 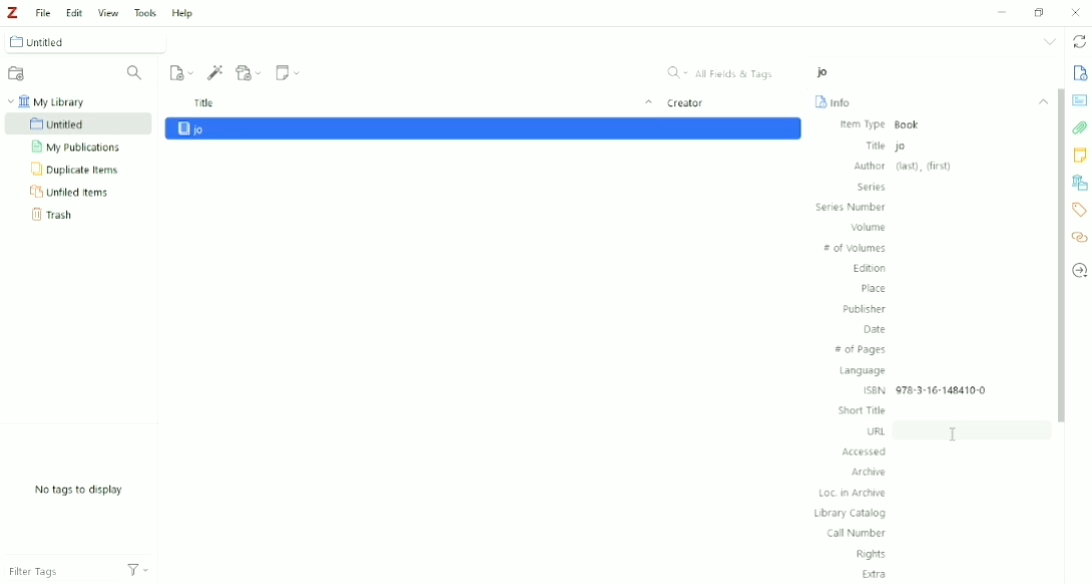 I want to click on jo, so click(x=822, y=72).